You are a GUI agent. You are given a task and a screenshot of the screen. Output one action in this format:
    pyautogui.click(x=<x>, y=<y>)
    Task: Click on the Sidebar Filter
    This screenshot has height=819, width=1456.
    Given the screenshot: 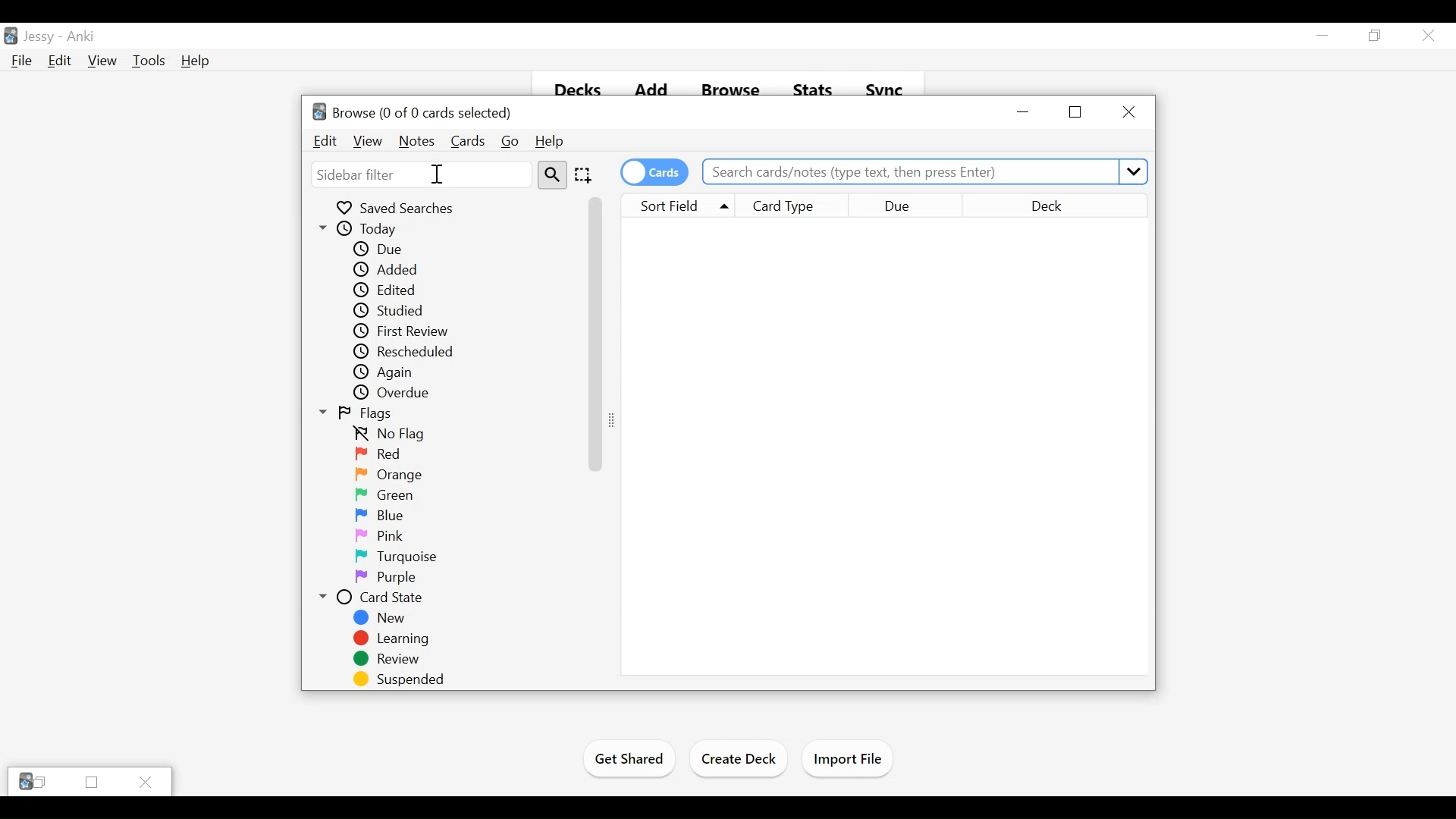 What is the action you would take?
    pyautogui.click(x=419, y=174)
    